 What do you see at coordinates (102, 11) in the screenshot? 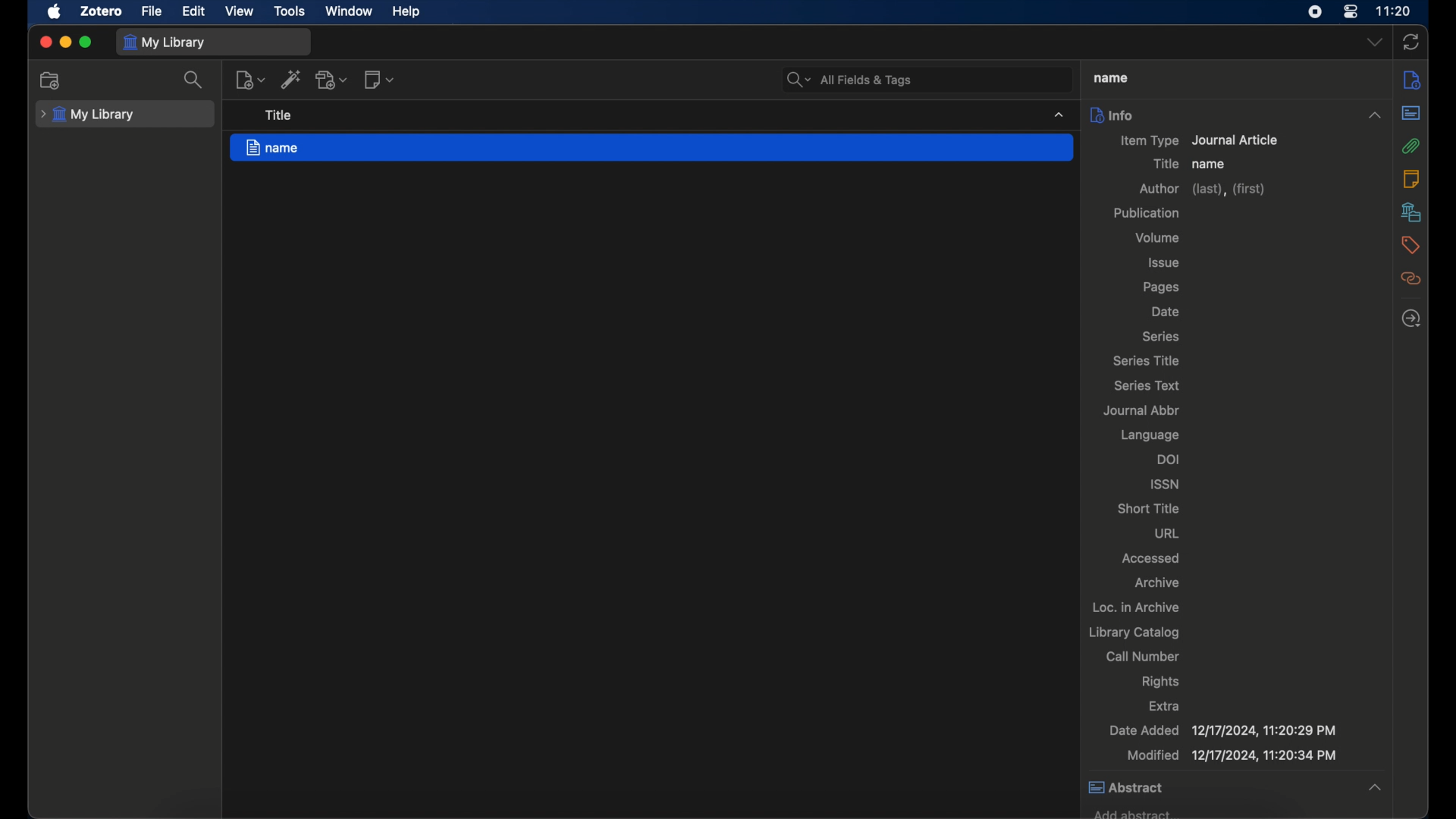
I see `zotero` at bounding box center [102, 11].